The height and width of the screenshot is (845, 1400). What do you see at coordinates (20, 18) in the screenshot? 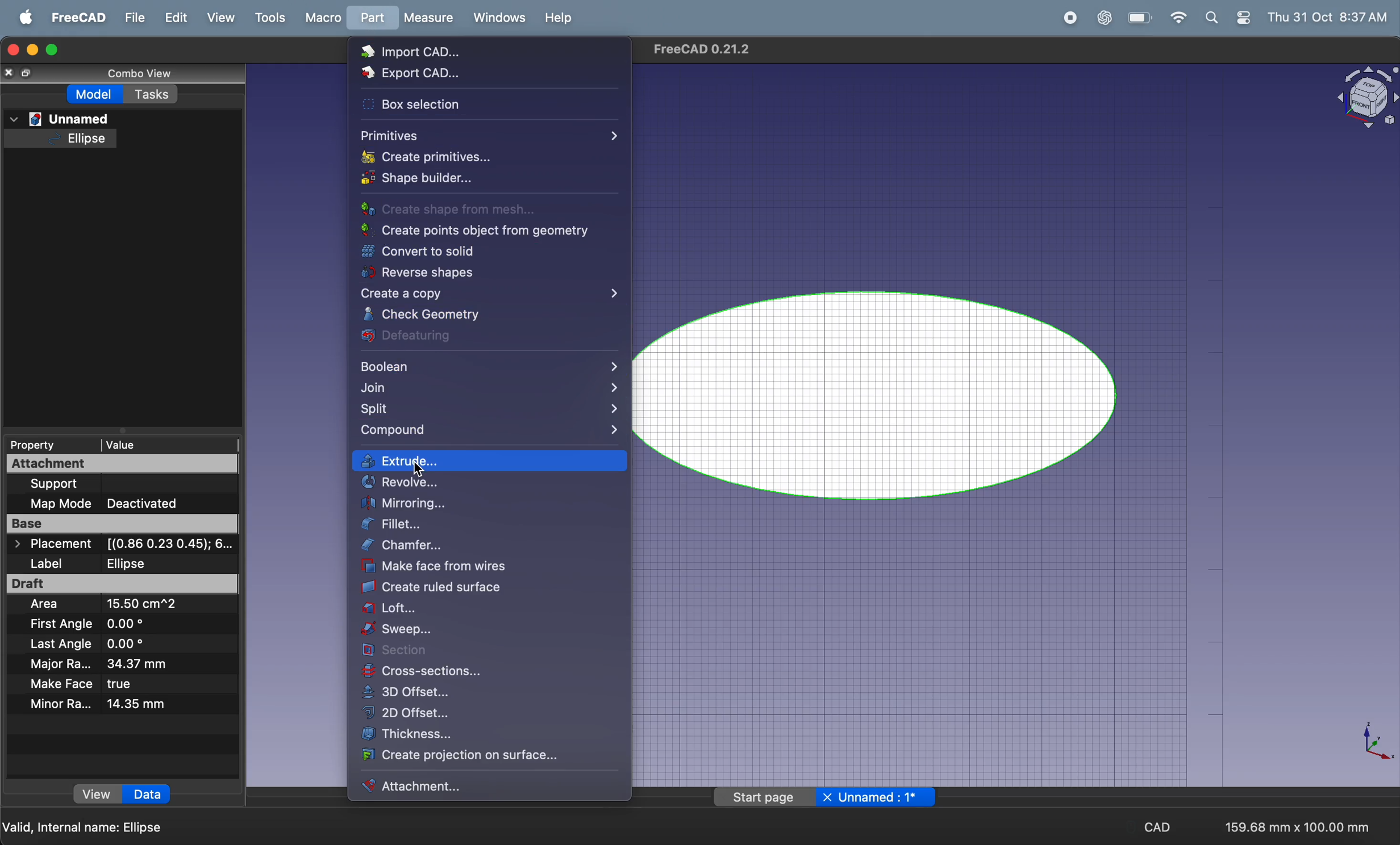
I see `apple menu` at bounding box center [20, 18].